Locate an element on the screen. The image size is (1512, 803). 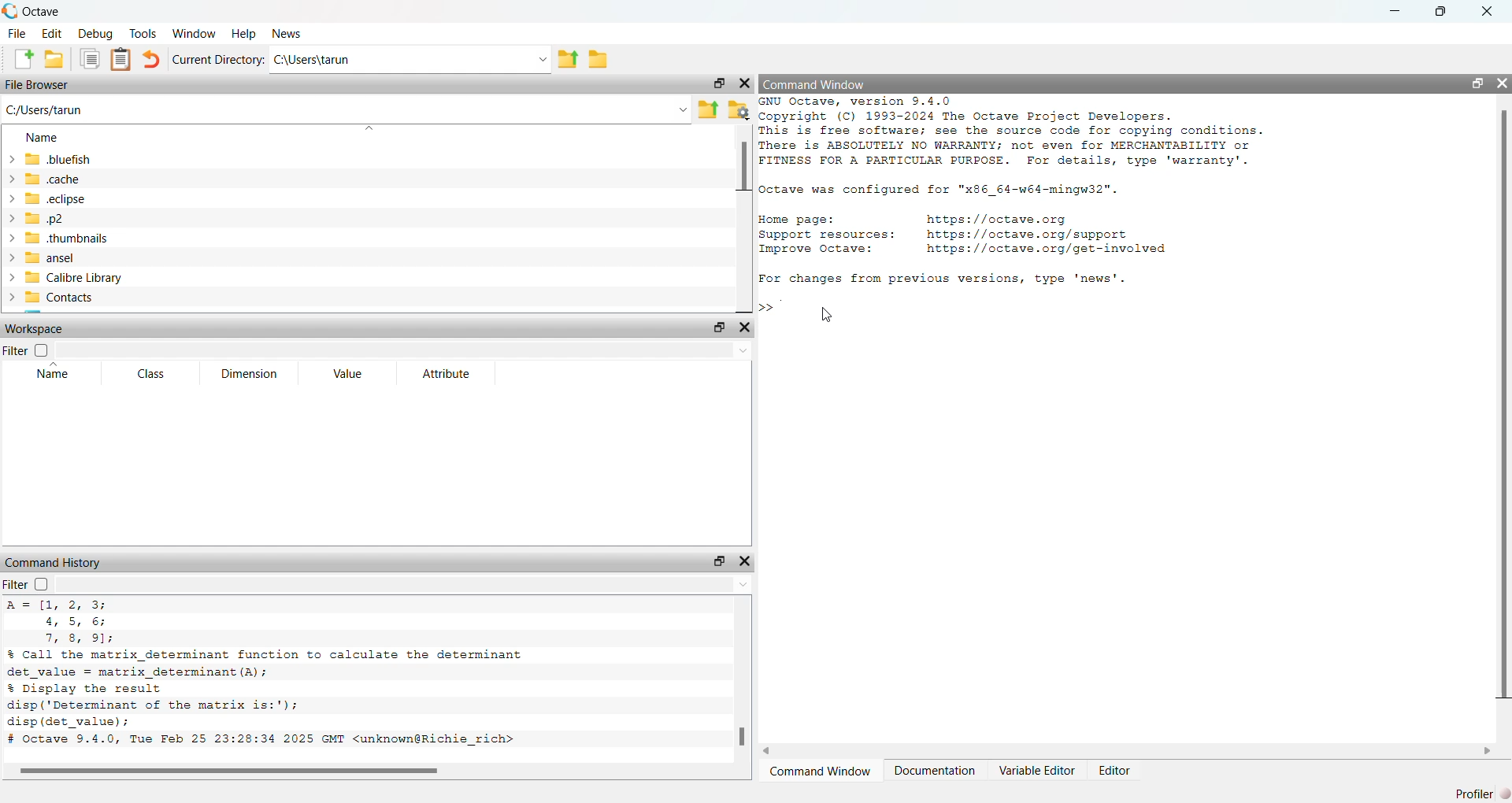
maximize is located at coordinates (721, 83).